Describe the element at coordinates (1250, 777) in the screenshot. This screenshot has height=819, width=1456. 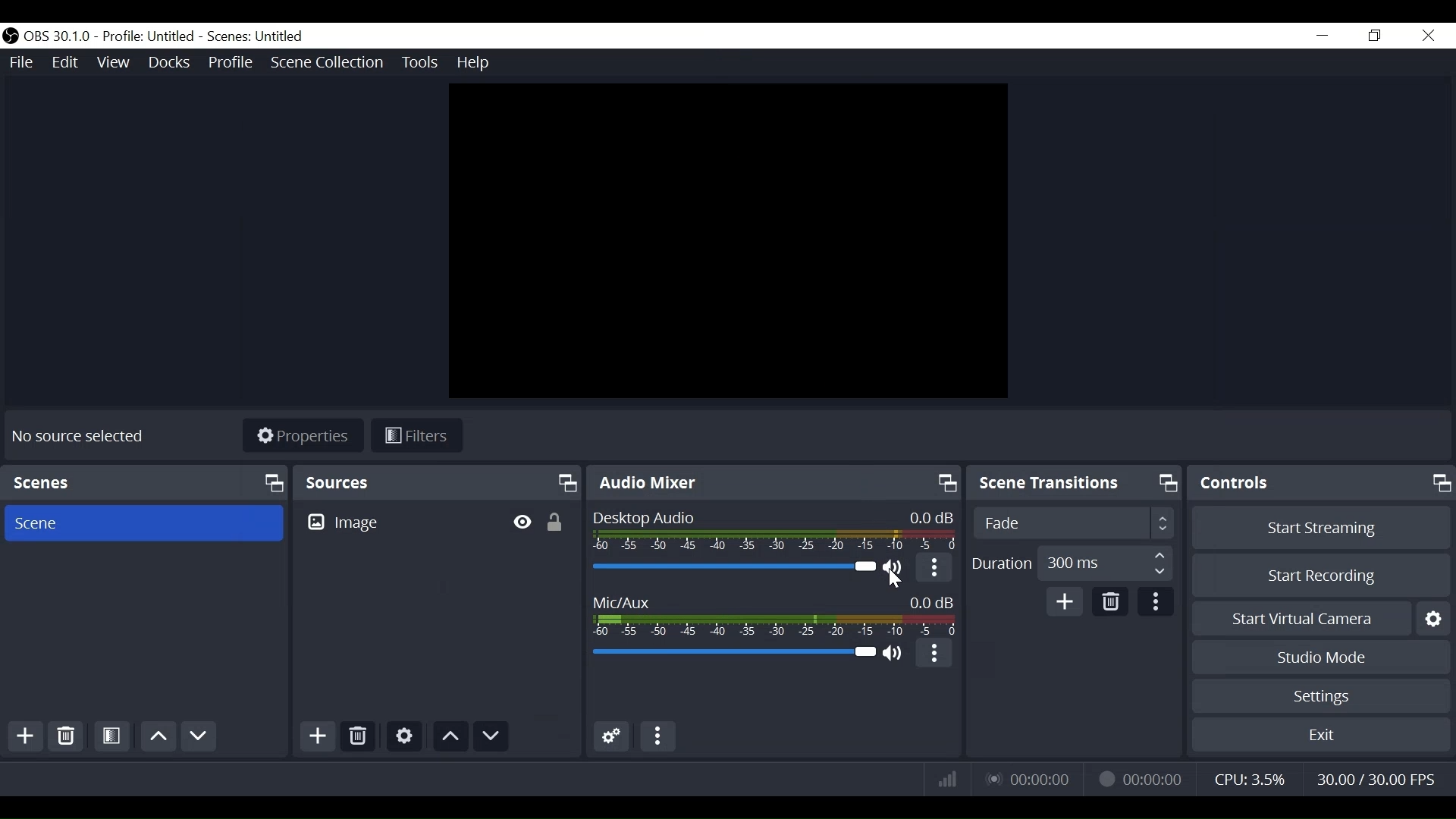
I see `CPU Usage` at that location.